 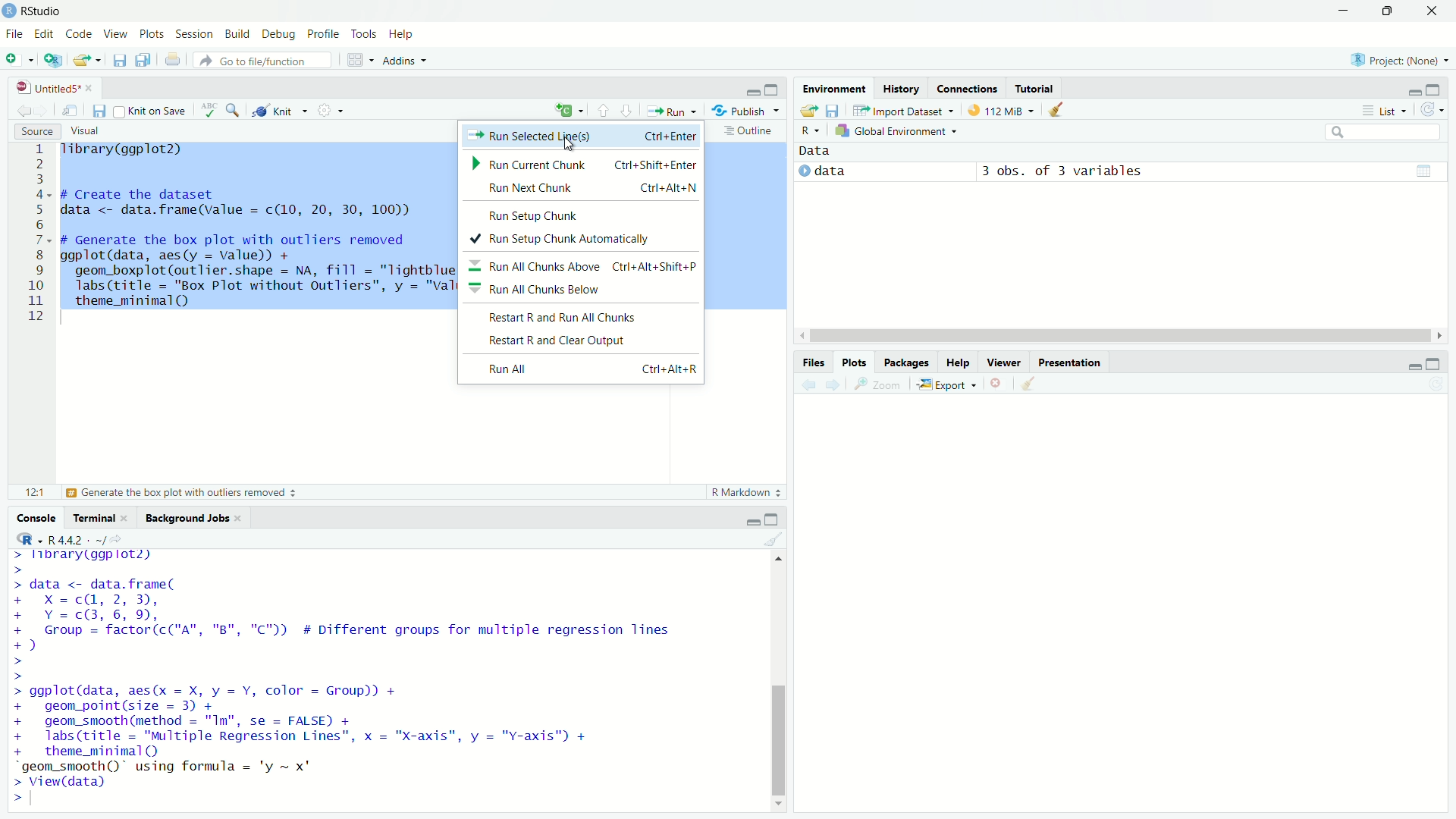 What do you see at coordinates (408, 33) in the screenshot?
I see `Help` at bounding box center [408, 33].